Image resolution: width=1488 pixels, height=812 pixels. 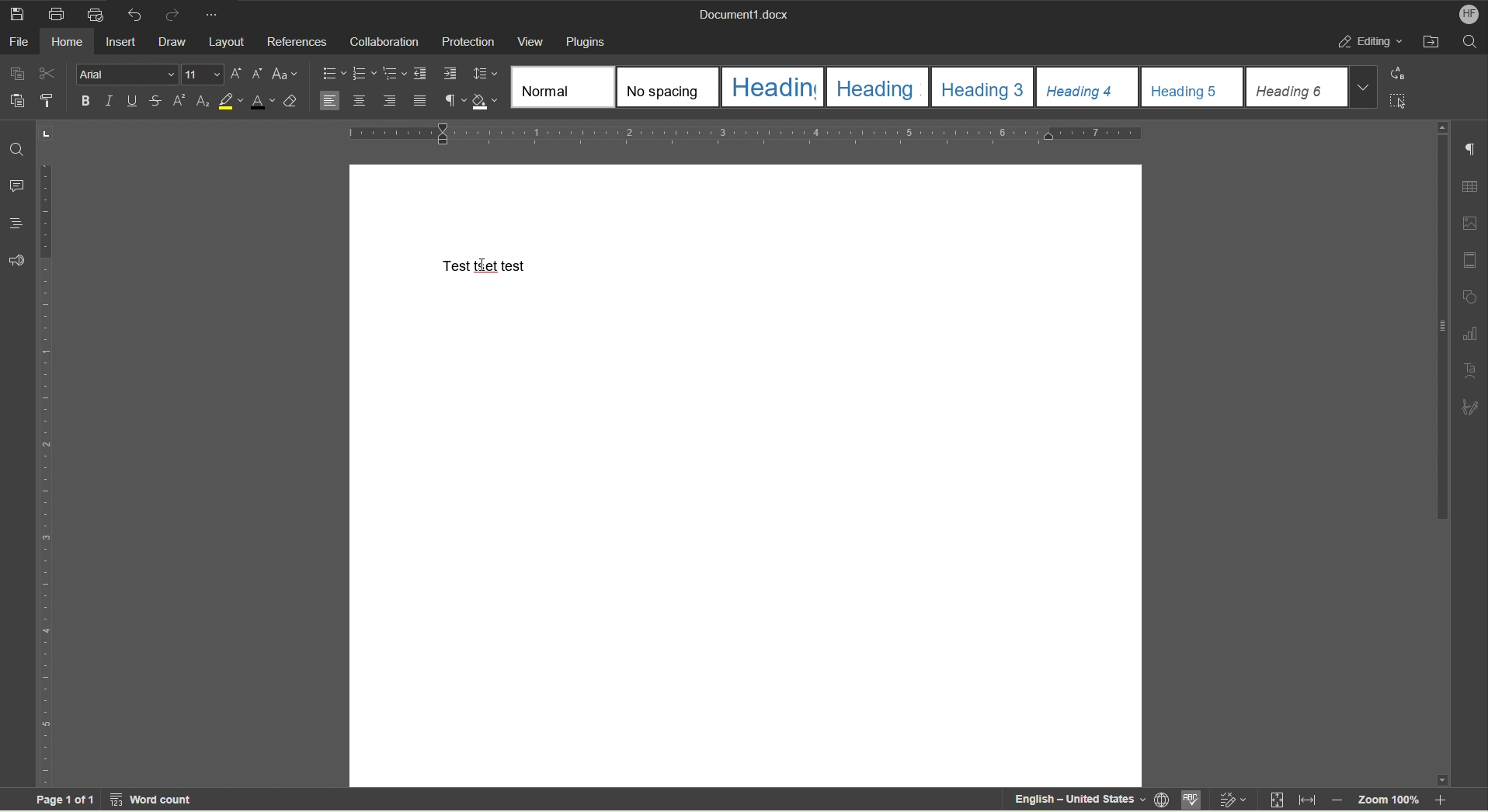 What do you see at coordinates (262, 102) in the screenshot?
I see `Text Color` at bounding box center [262, 102].